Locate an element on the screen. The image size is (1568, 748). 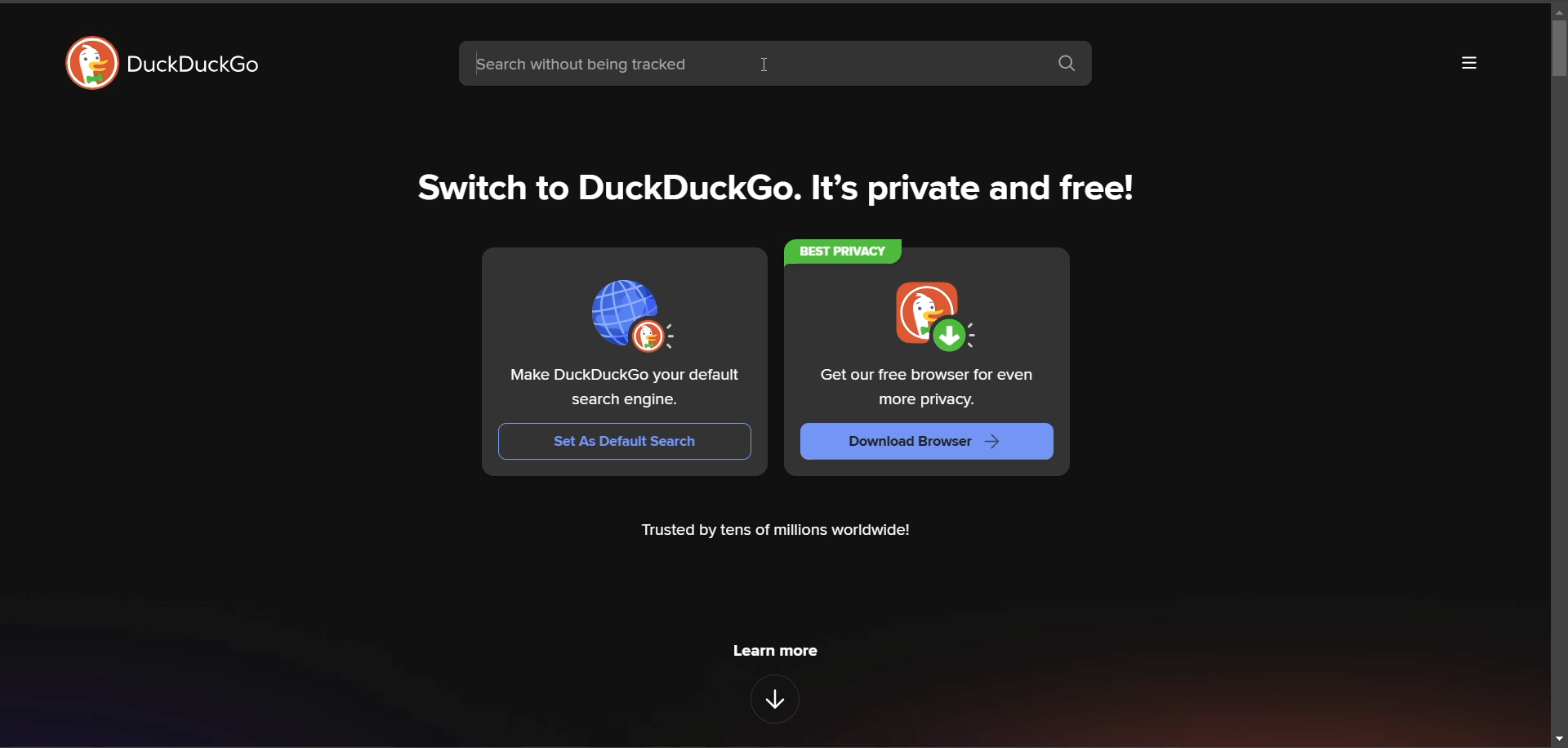
vertical scroll bar is located at coordinates (1544, 57).